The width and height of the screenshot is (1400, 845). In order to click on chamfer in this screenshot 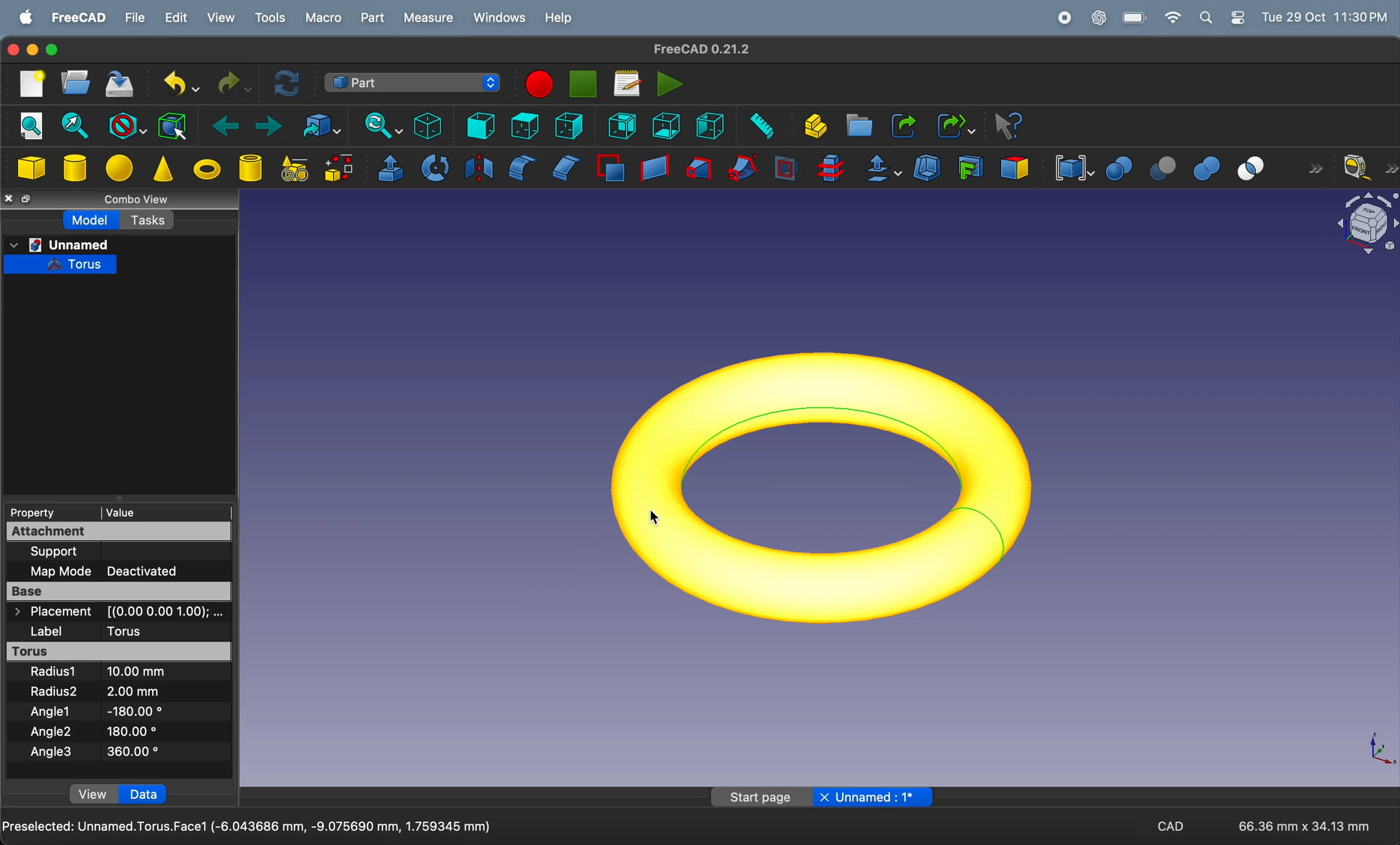, I will do `click(566, 168)`.